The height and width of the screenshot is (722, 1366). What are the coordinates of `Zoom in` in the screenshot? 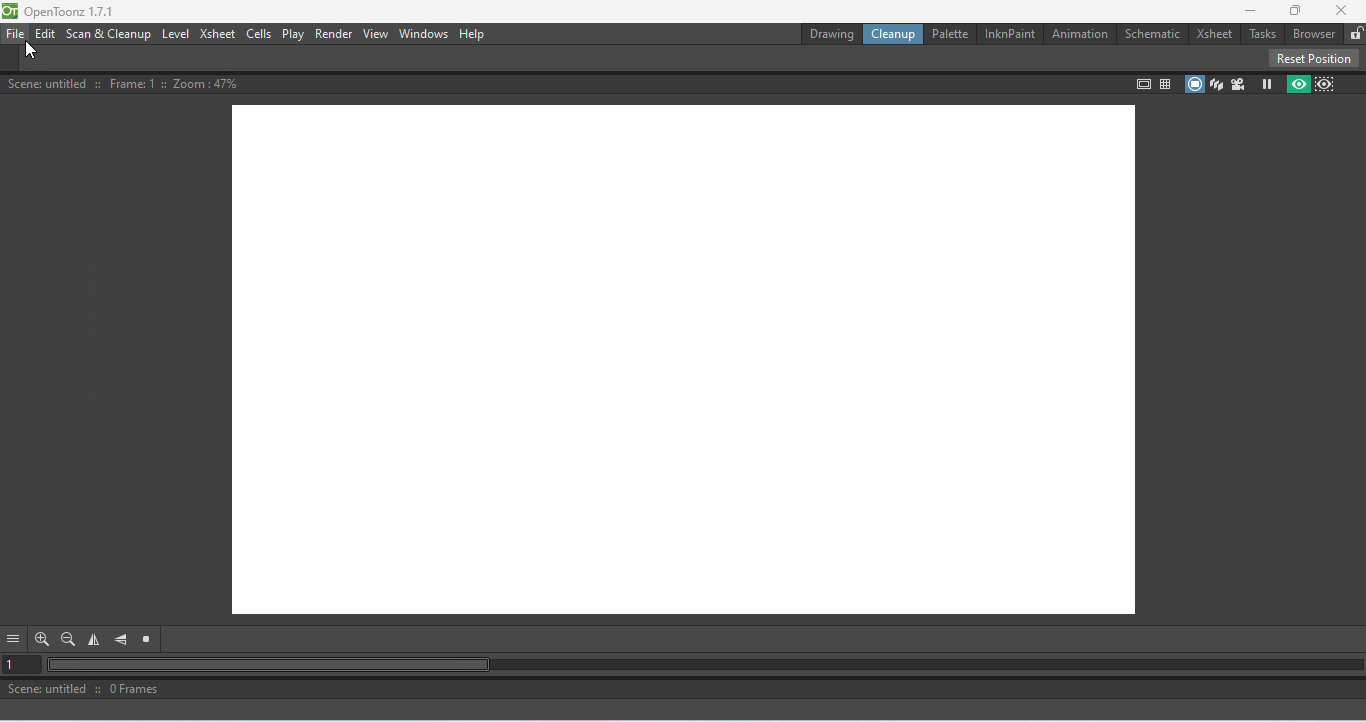 It's located at (40, 639).